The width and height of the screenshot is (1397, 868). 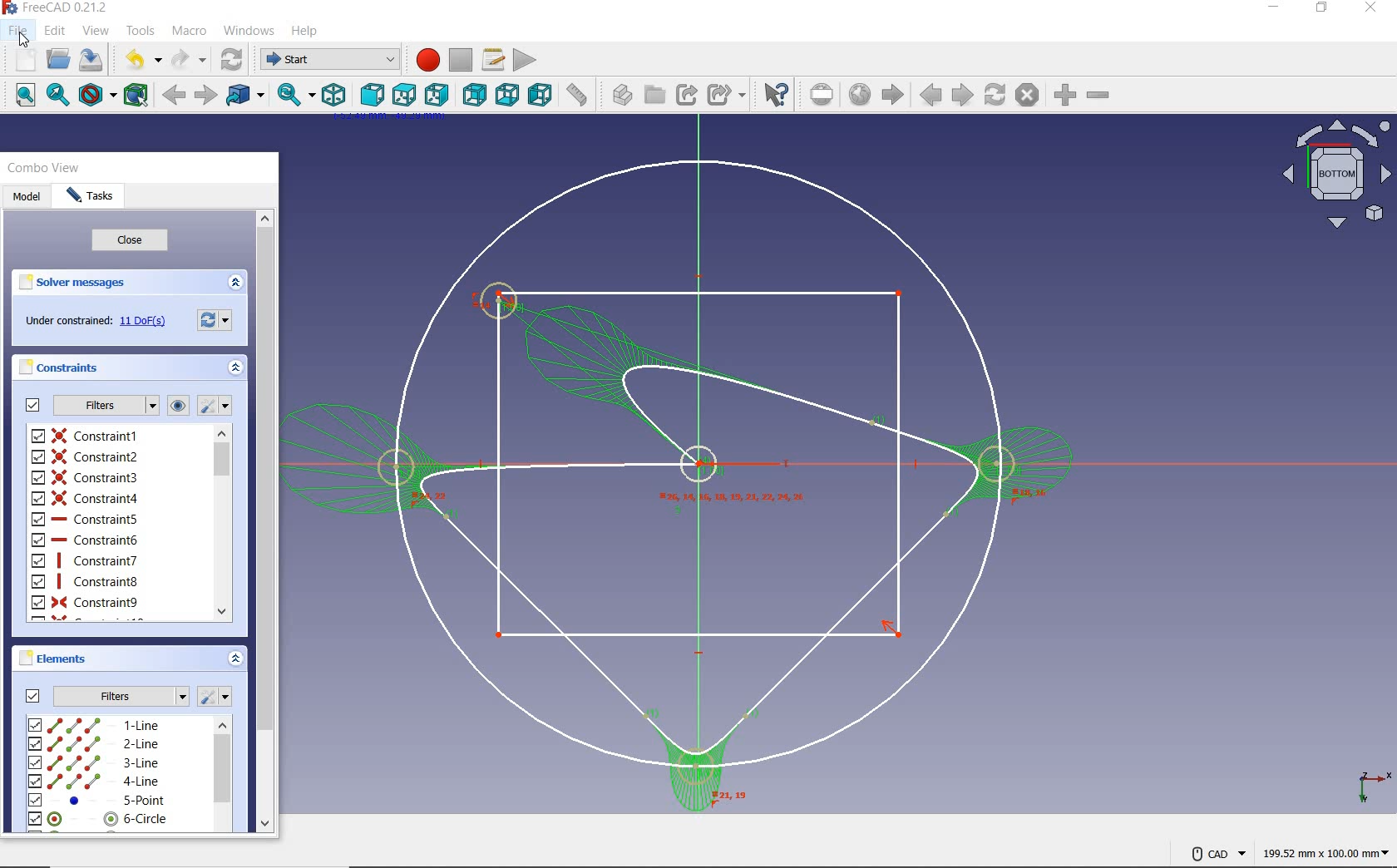 What do you see at coordinates (219, 696) in the screenshot?
I see `settings` at bounding box center [219, 696].